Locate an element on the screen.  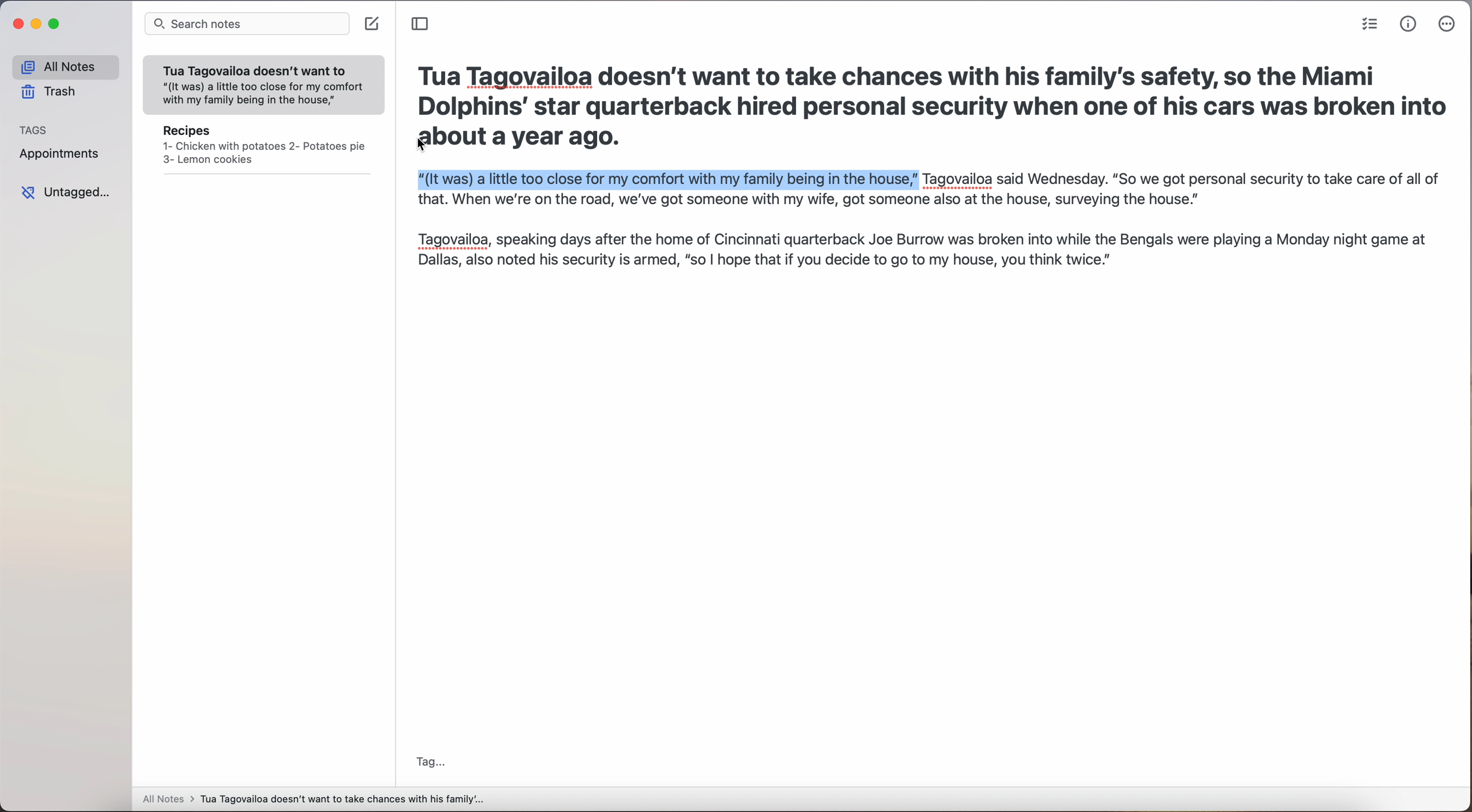
tags is located at coordinates (34, 129).